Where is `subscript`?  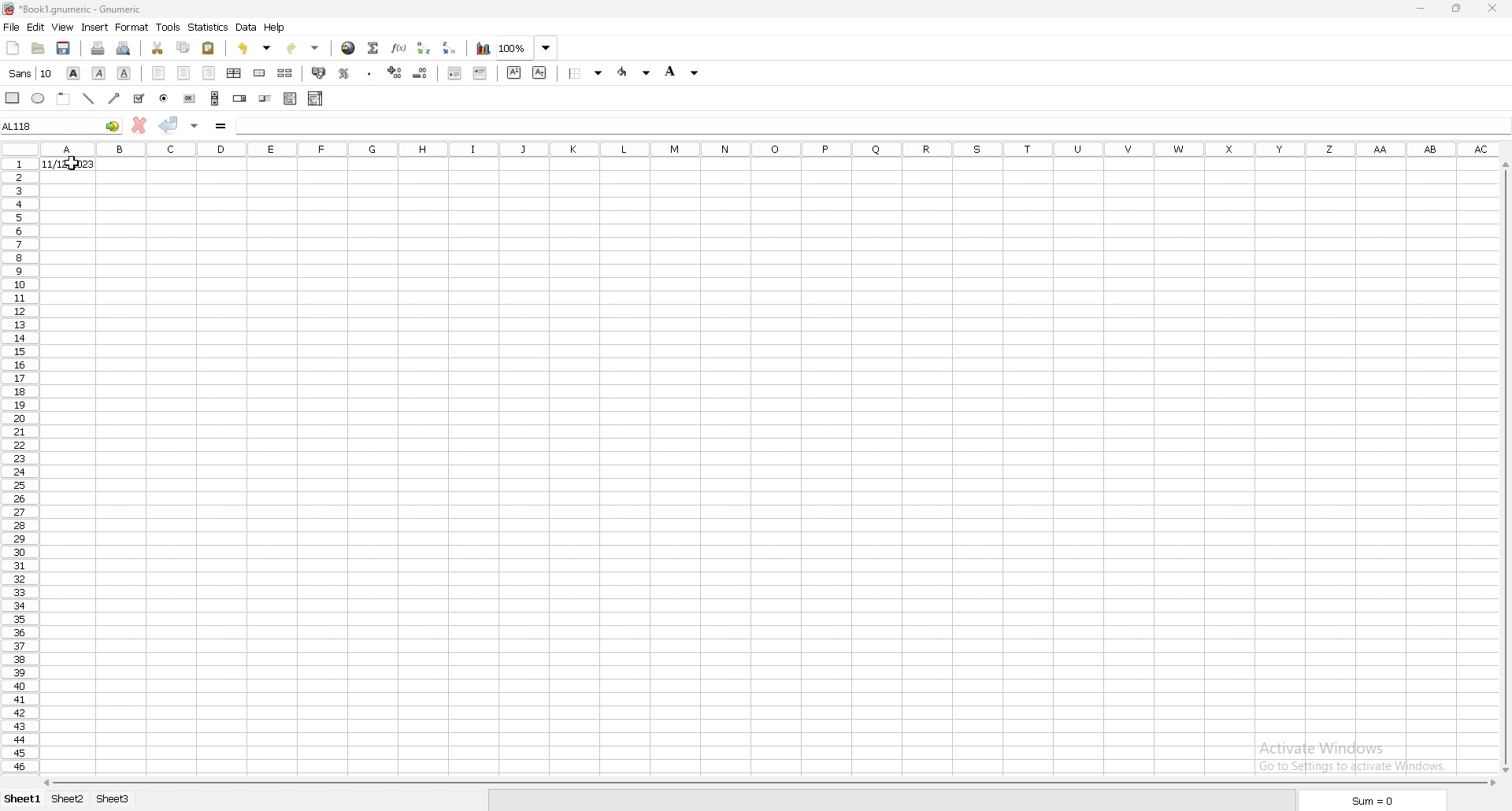 subscript is located at coordinates (539, 72).